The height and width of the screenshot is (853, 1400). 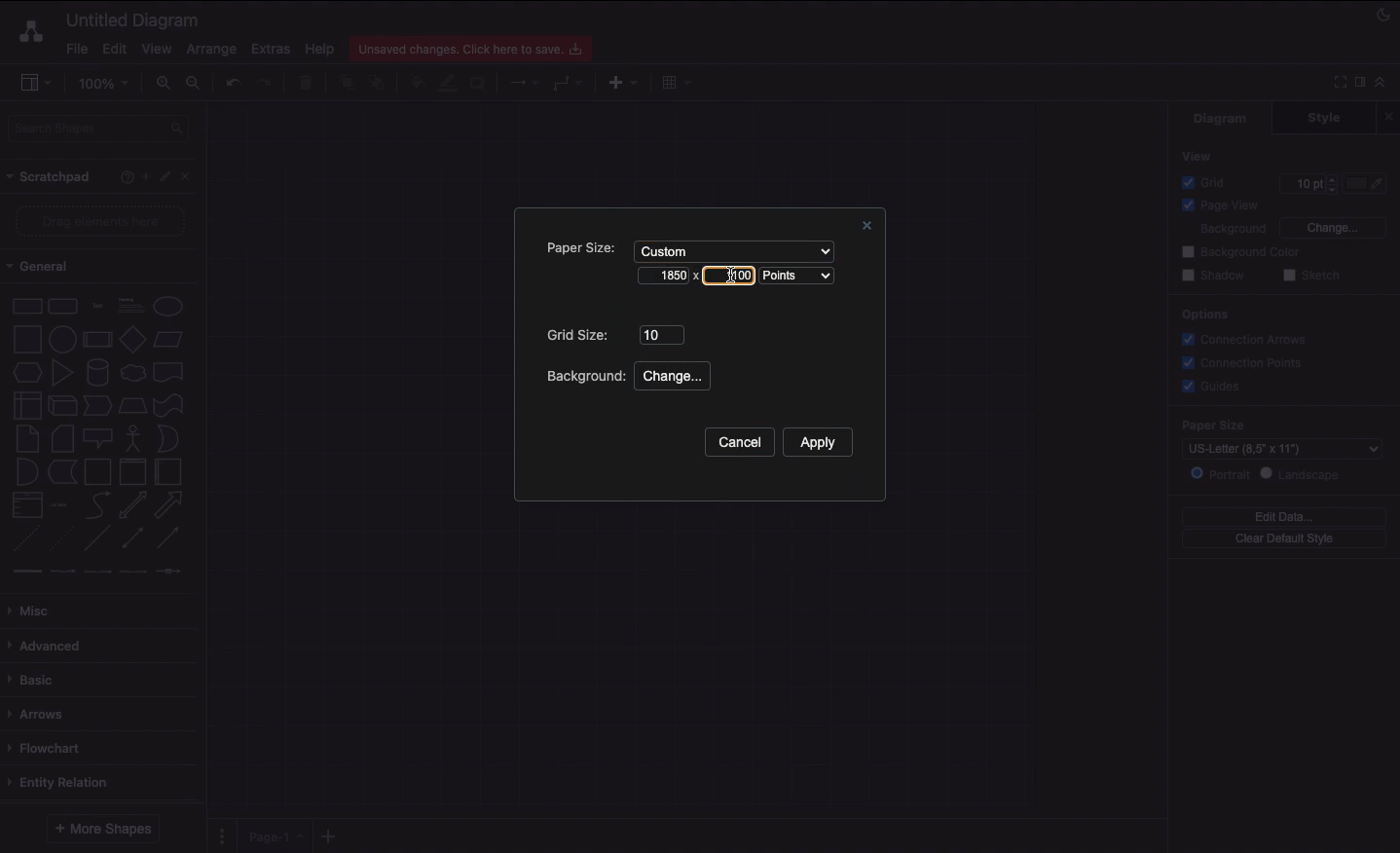 I want to click on Fill color, so click(x=416, y=85).